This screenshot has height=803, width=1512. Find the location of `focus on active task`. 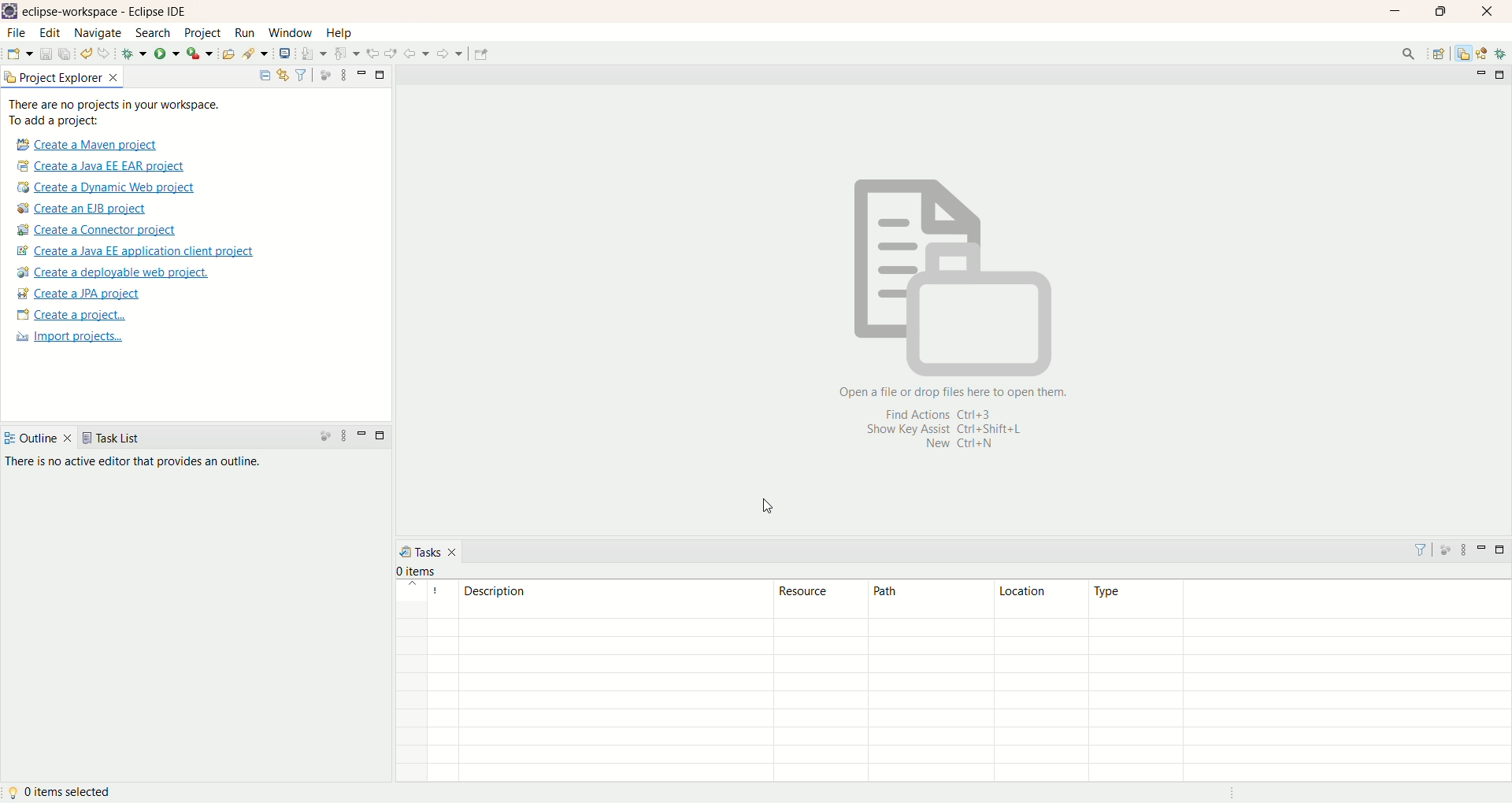

focus on active task is located at coordinates (325, 436).